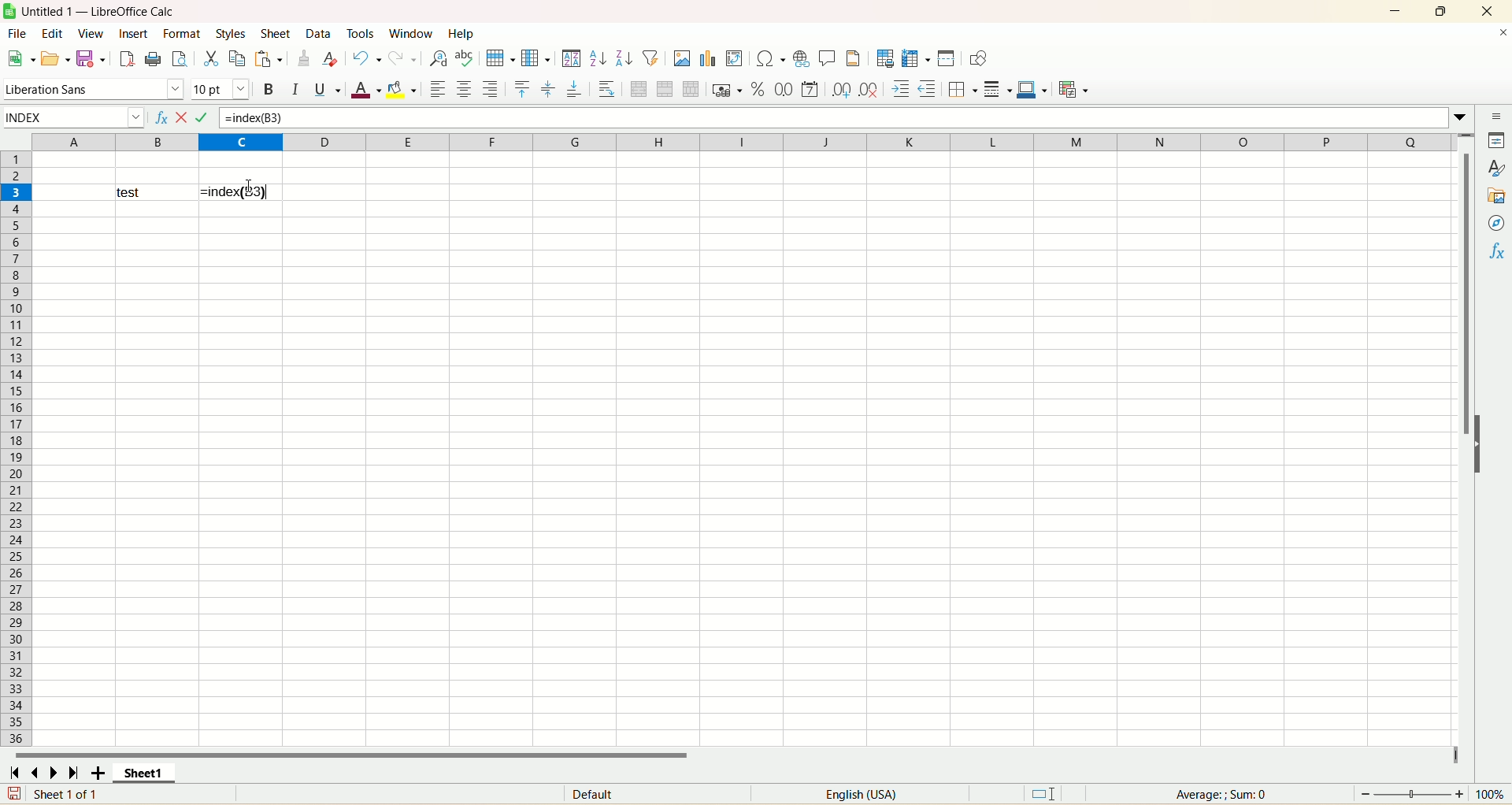 The height and width of the screenshot is (805, 1512). Describe the element at coordinates (125, 59) in the screenshot. I see `export as pdf` at that location.